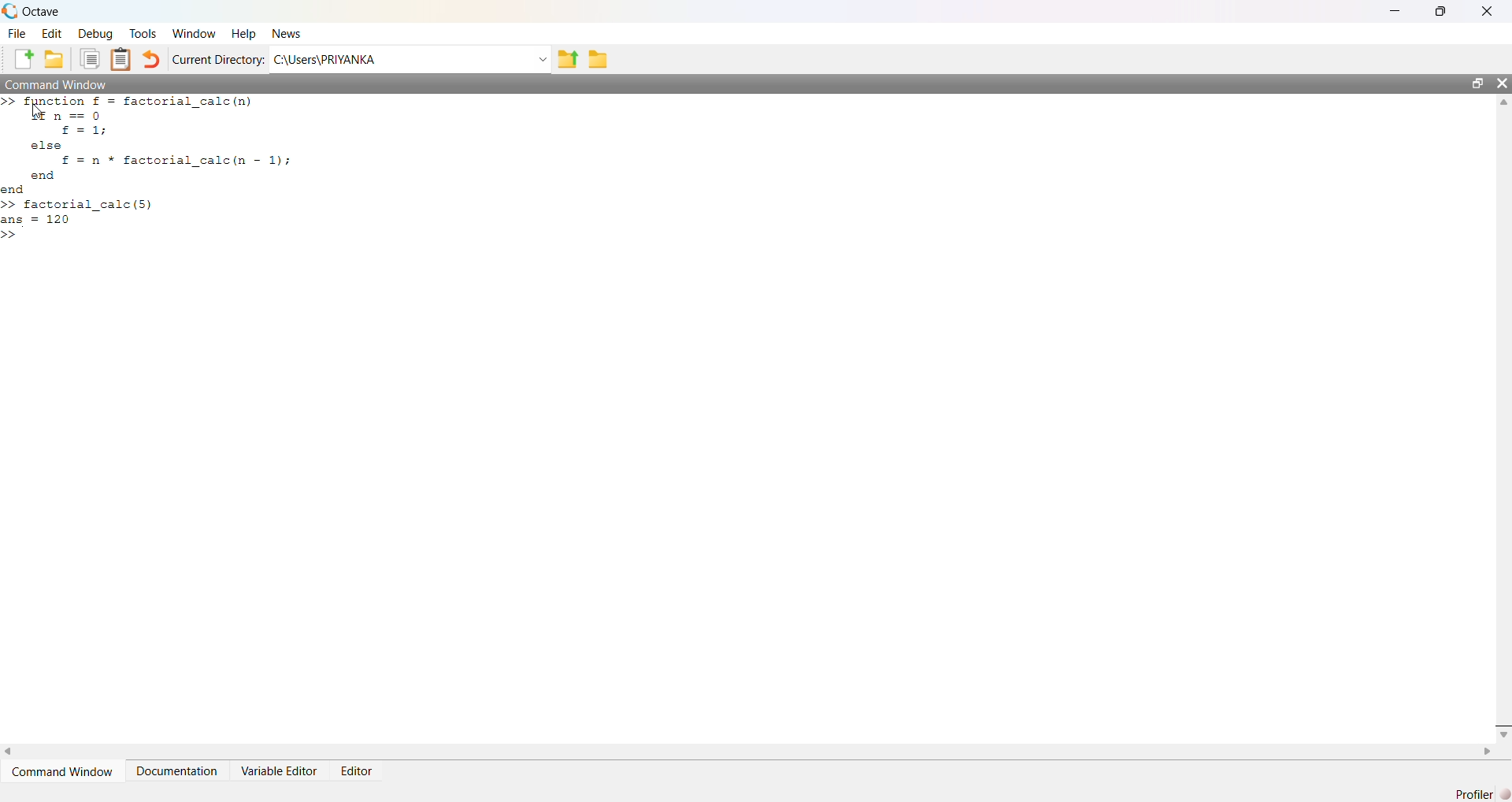 The image size is (1512, 802). I want to click on Editor, so click(358, 773).